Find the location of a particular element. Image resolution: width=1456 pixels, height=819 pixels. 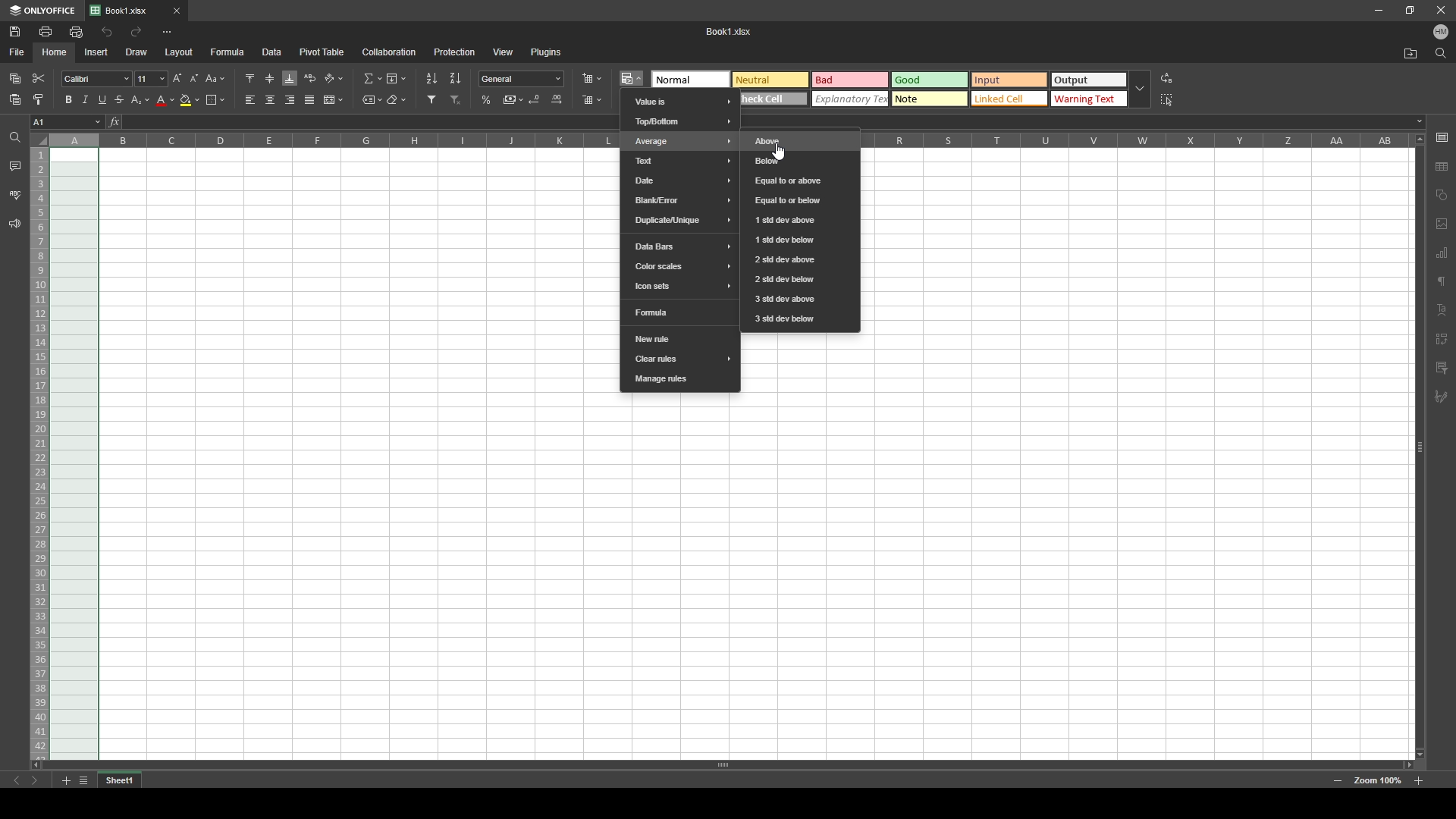

underline is located at coordinates (102, 100).